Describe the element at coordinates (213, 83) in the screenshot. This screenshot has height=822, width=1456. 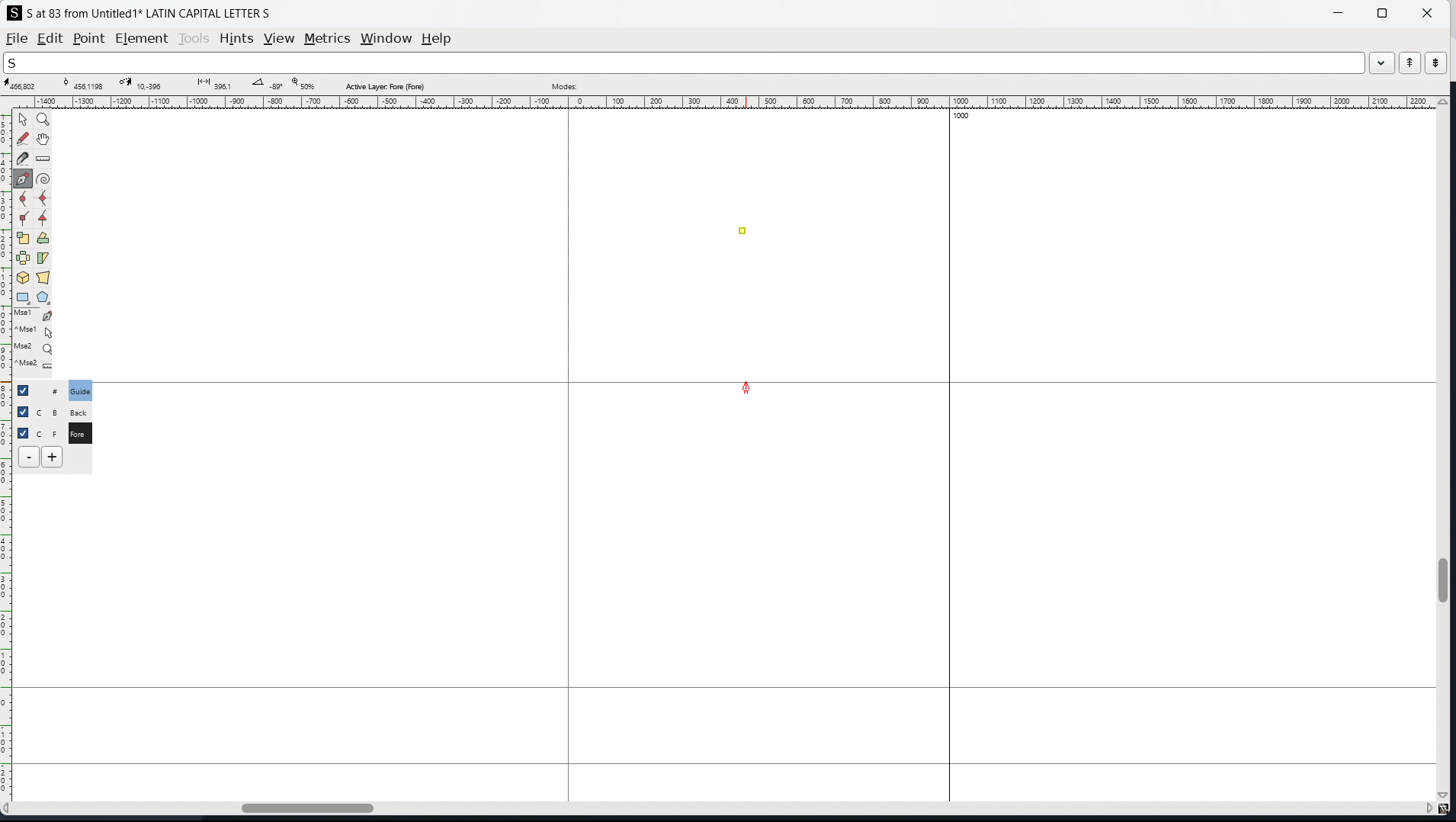
I see `distance between points` at that location.